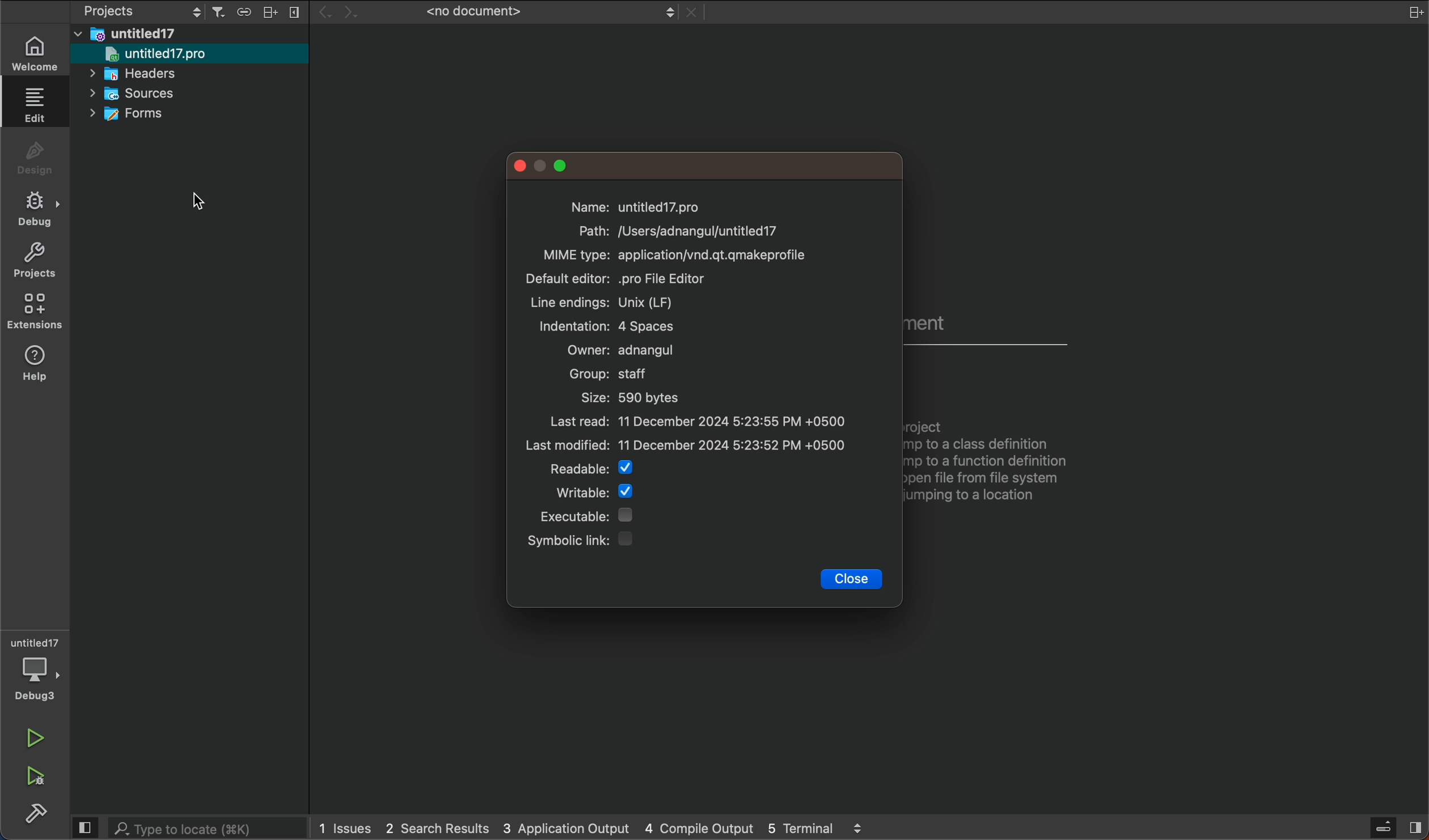  I want to click on projects, so click(37, 259).